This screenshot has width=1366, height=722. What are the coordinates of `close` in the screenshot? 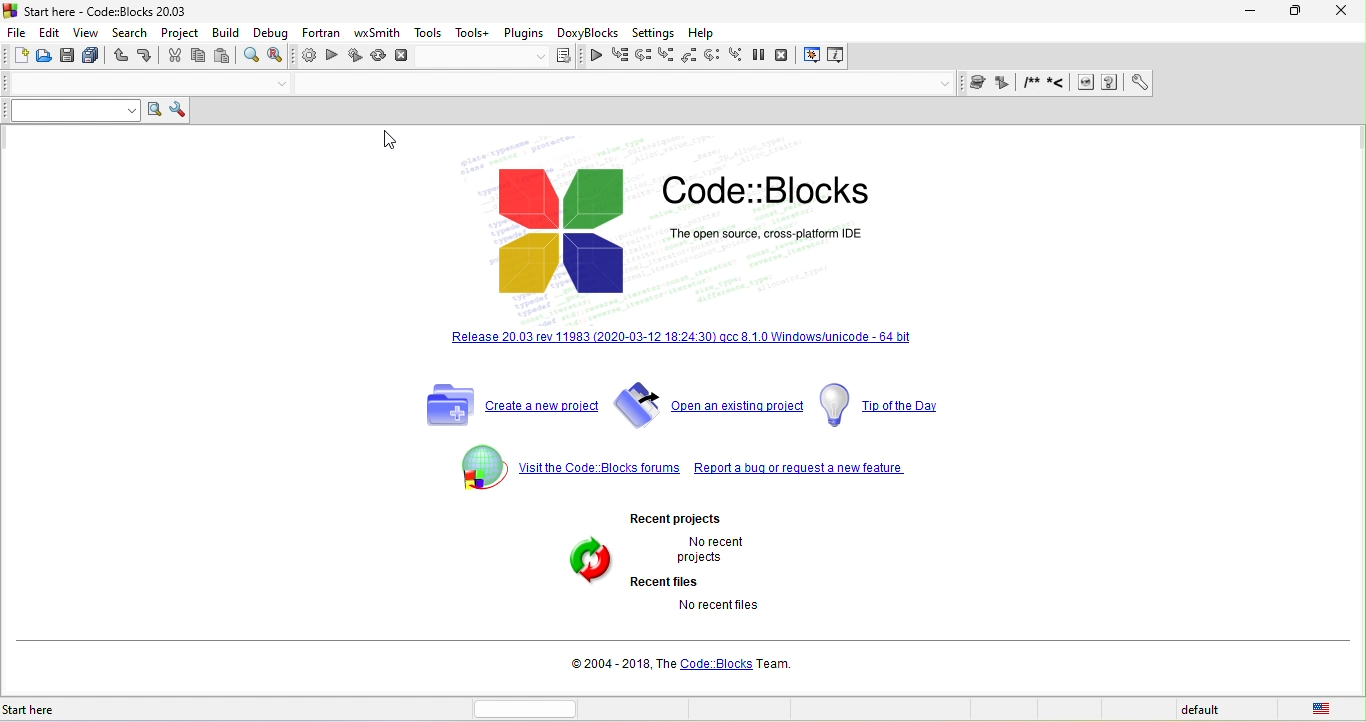 It's located at (1332, 12).